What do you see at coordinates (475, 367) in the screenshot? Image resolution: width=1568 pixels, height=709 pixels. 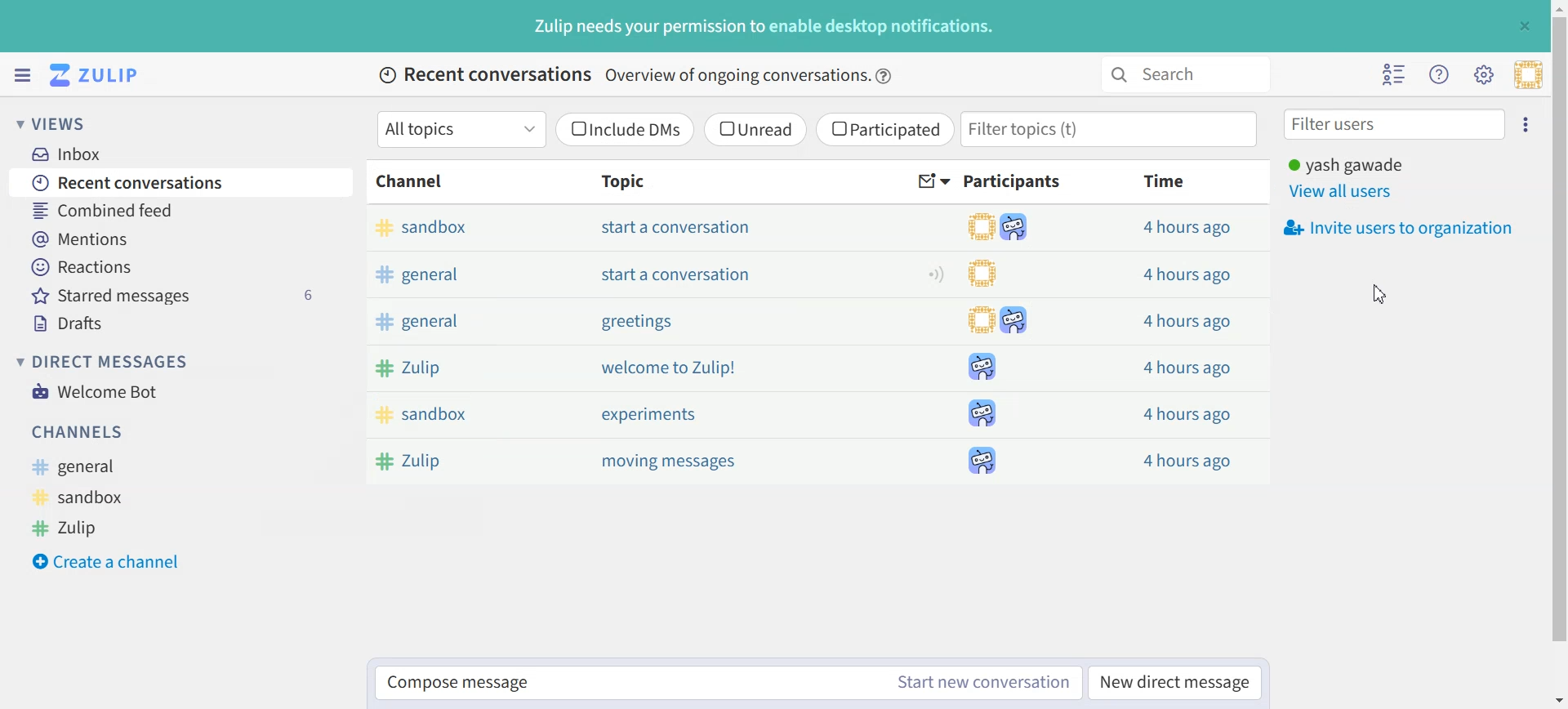 I see `#Zulip` at bounding box center [475, 367].